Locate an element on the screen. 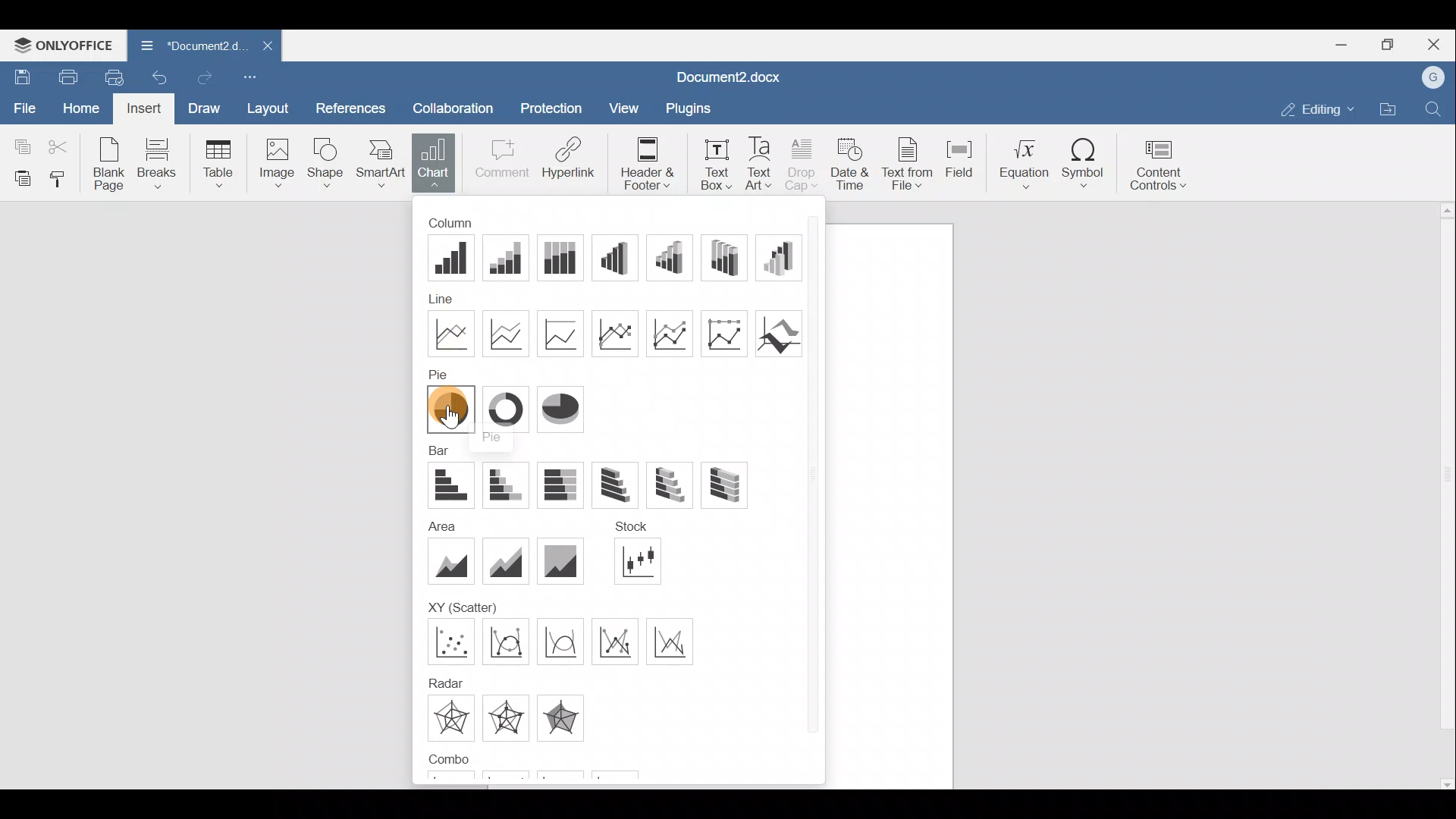 The image size is (1456, 819). Customize quick access toolbar is located at coordinates (256, 77).